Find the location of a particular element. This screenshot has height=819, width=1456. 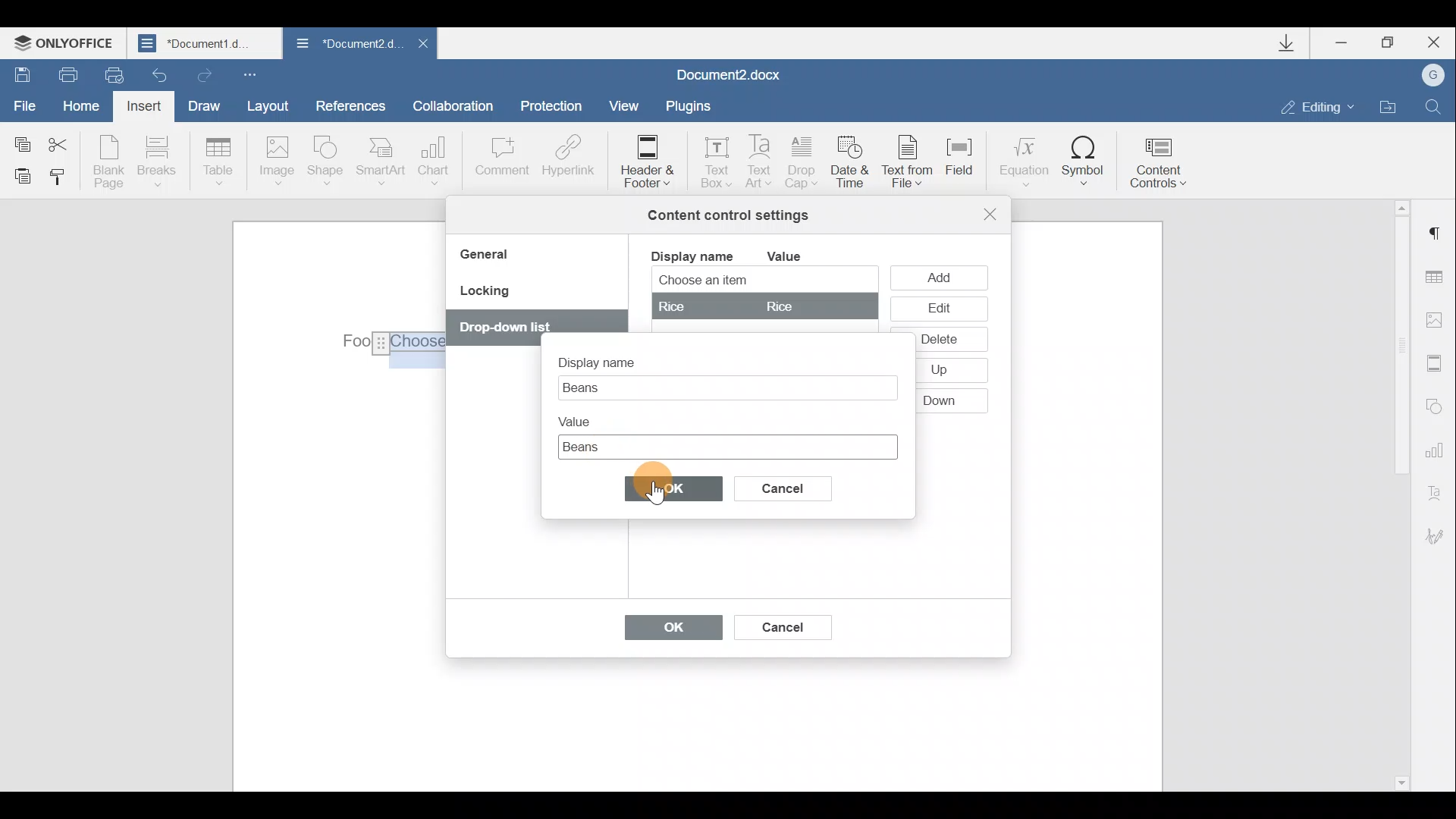

Locking is located at coordinates (484, 296).